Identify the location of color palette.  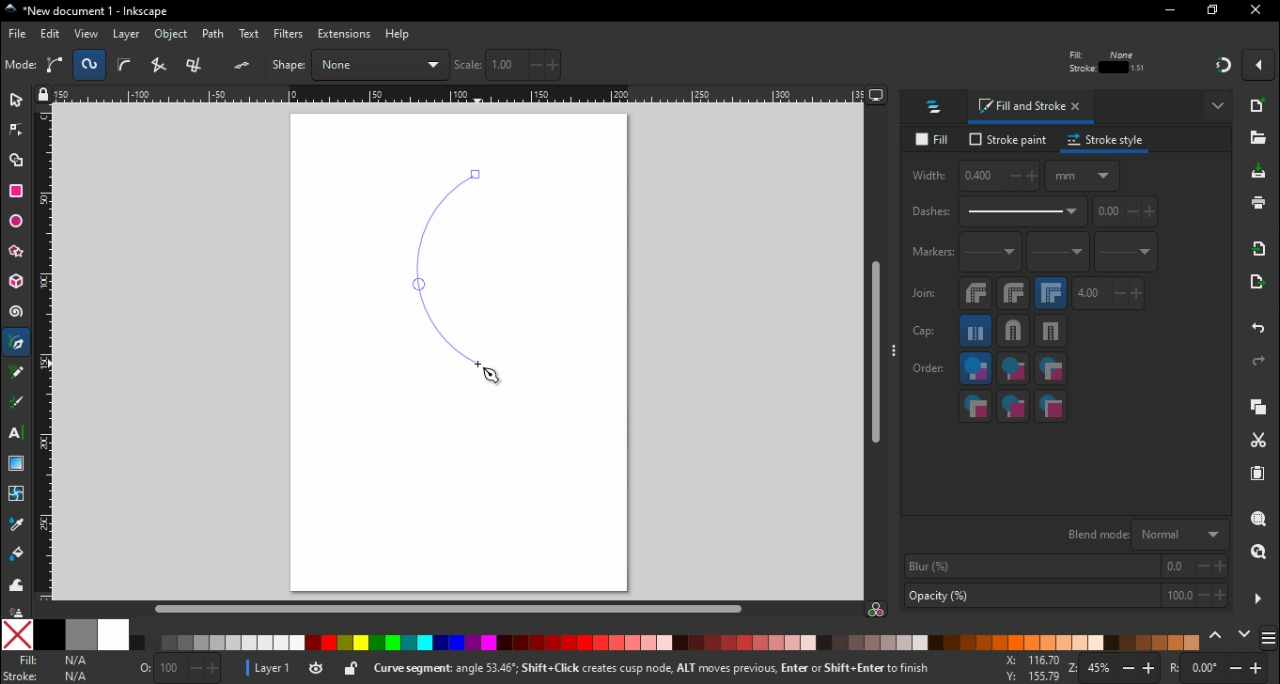
(670, 643).